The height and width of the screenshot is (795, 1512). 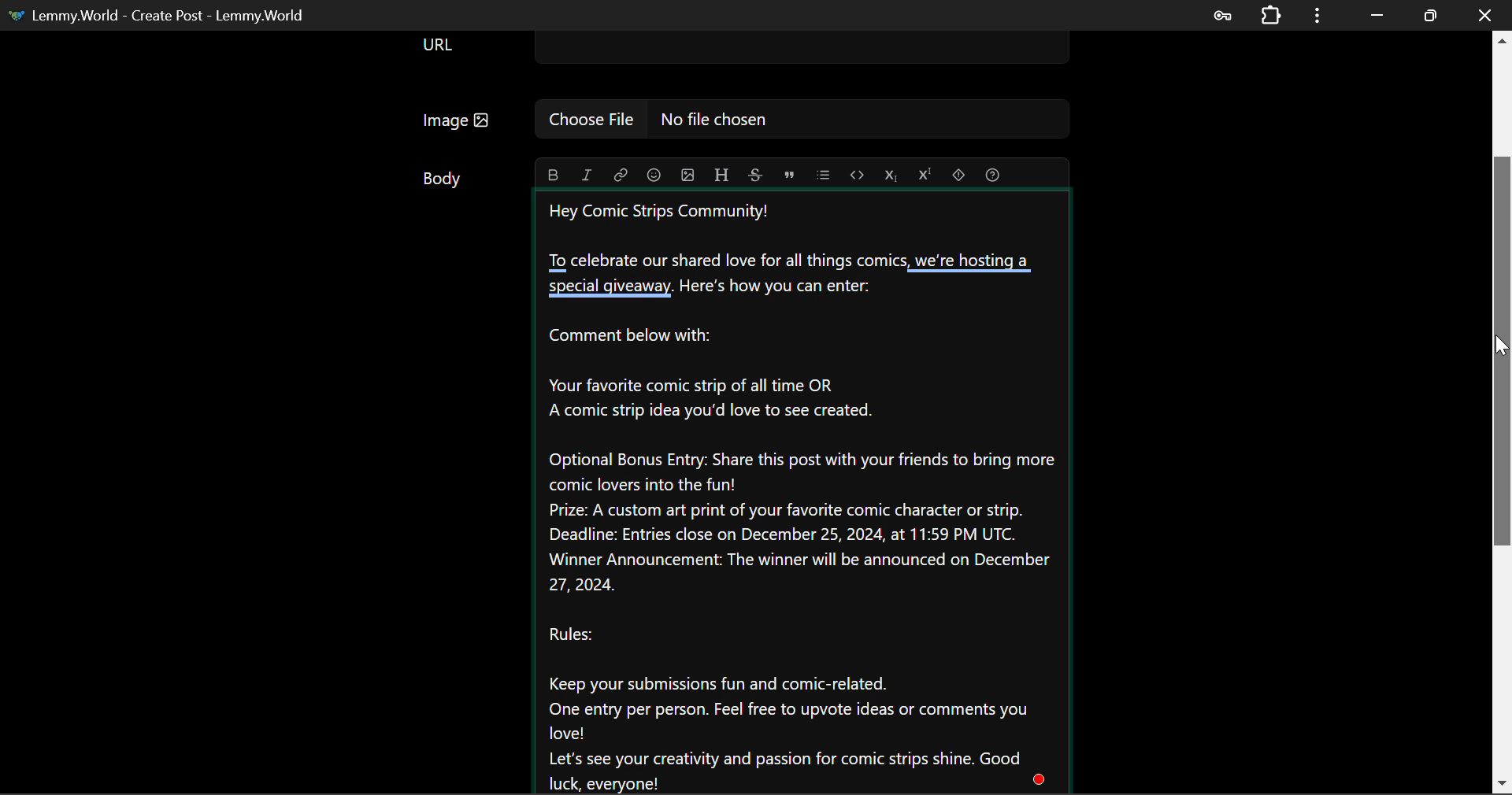 What do you see at coordinates (164, 15) in the screenshot?
I see `Lemmy.World- Create Post - Lemmy.World` at bounding box center [164, 15].